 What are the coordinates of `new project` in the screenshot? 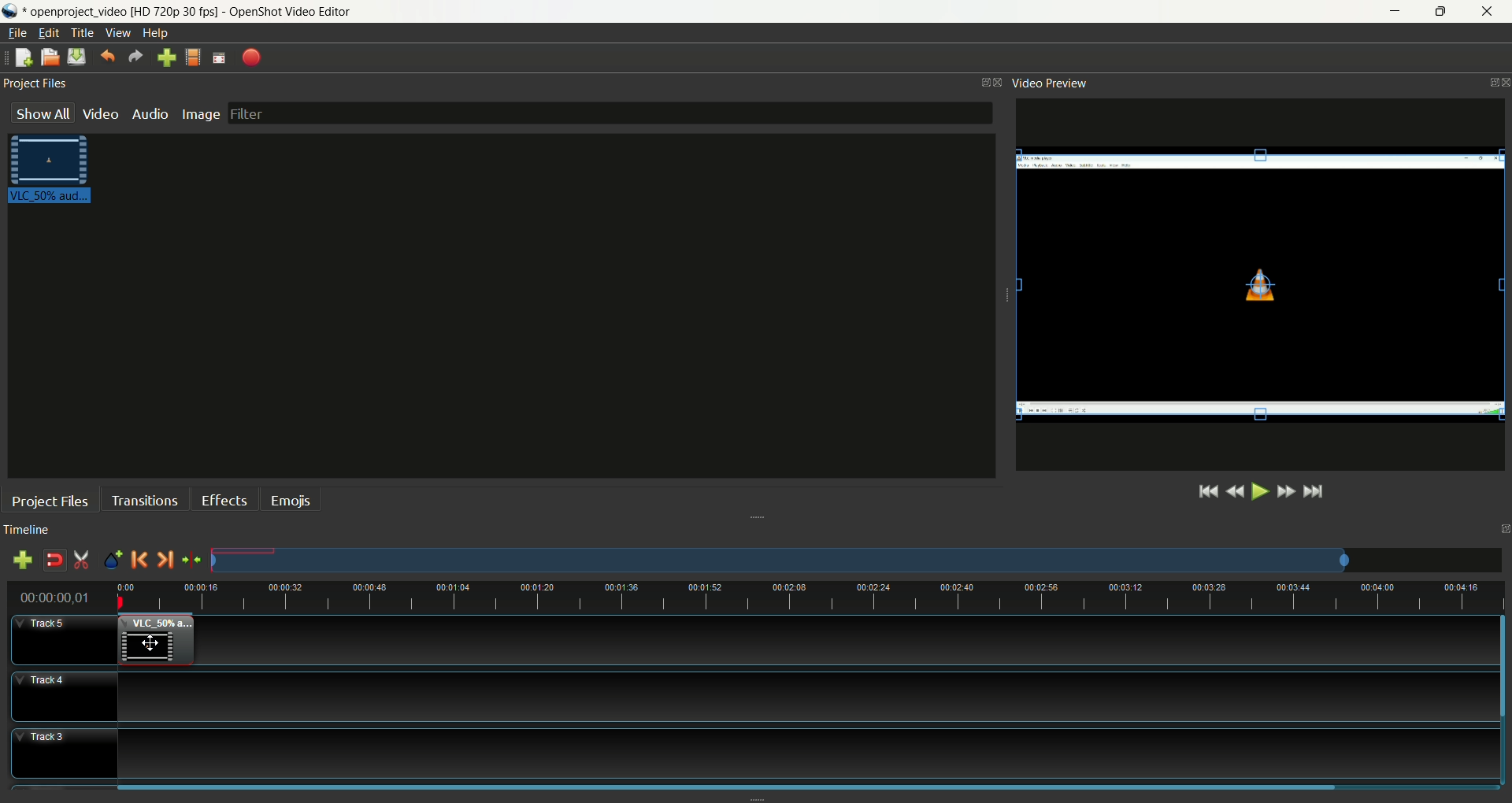 It's located at (22, 59).